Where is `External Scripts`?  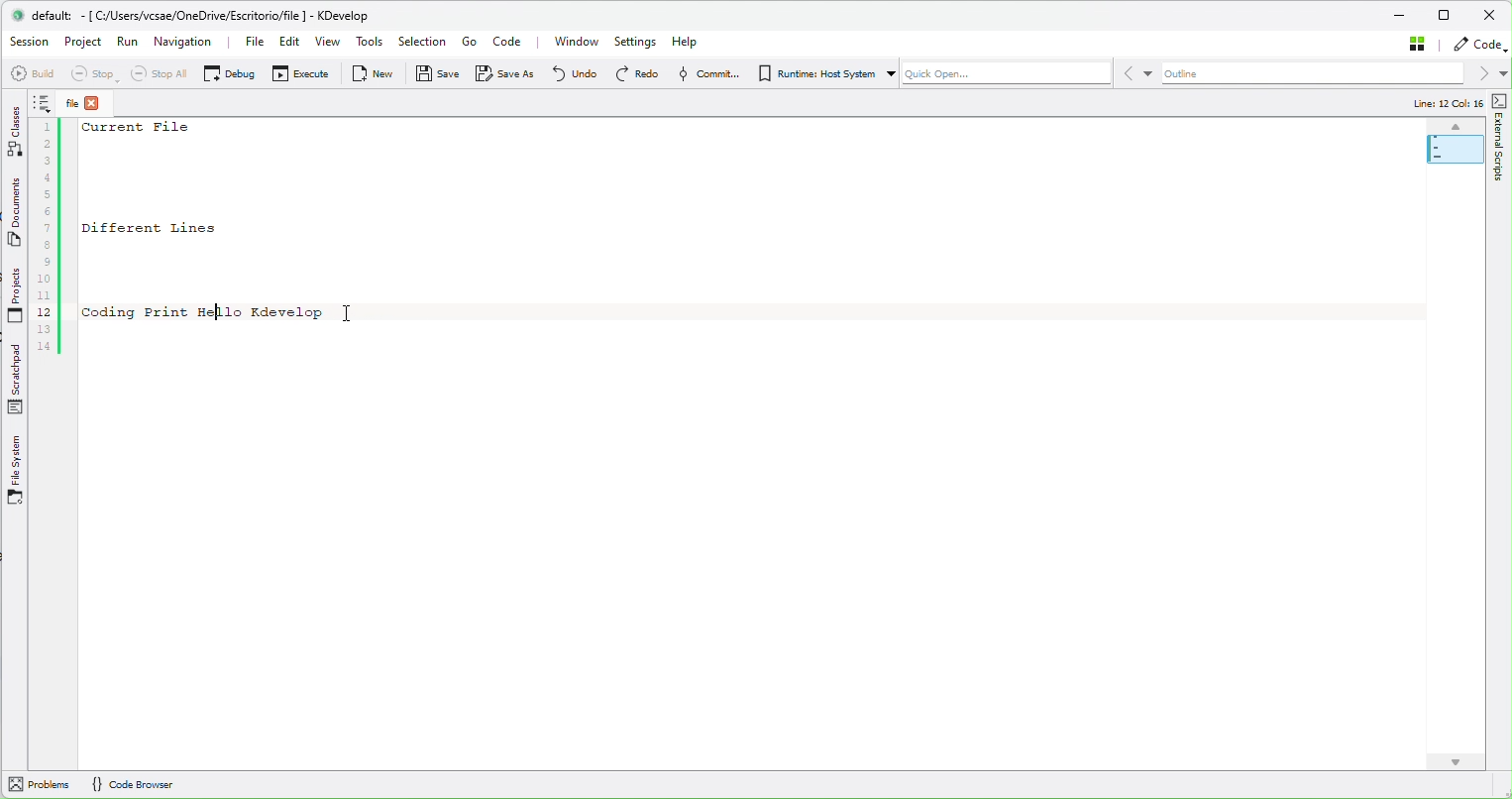 External Scripts is located at coordinates (1500, 135).